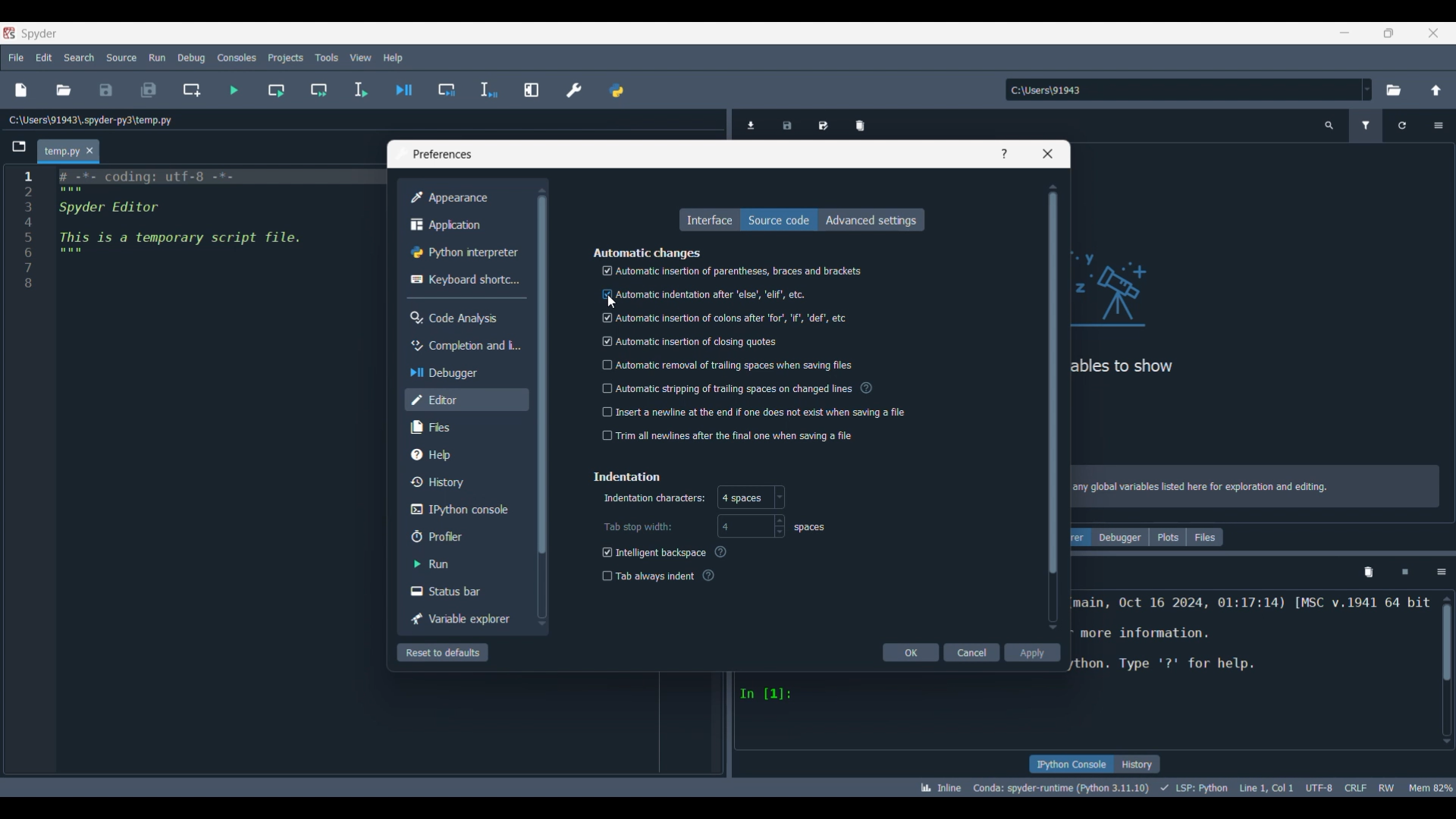  Describe the element at coordinates (1401, 126) in the screenshot. I see `Refresh variables` at that location.